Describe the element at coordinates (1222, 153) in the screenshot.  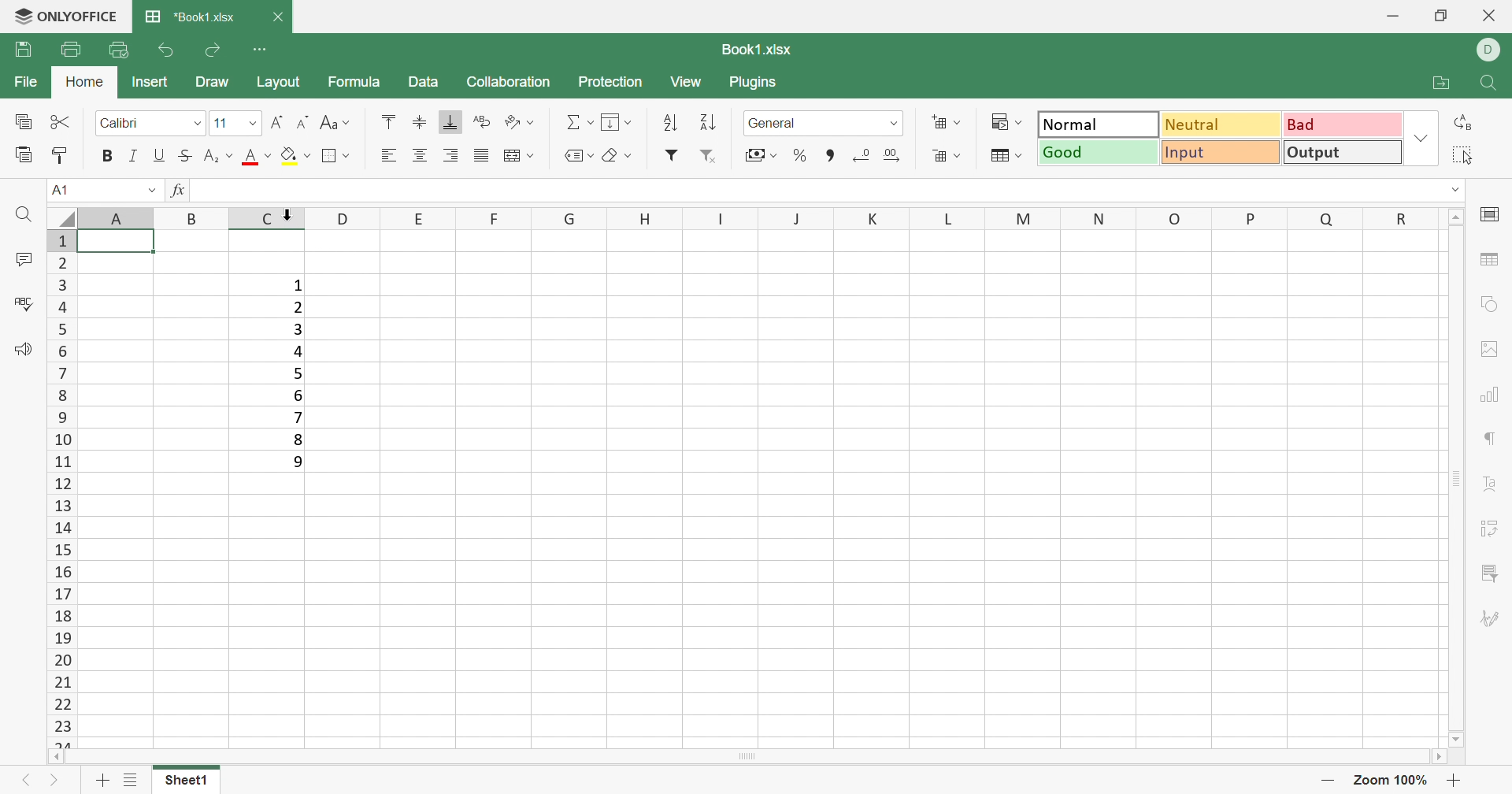
I see `Input` at that location.